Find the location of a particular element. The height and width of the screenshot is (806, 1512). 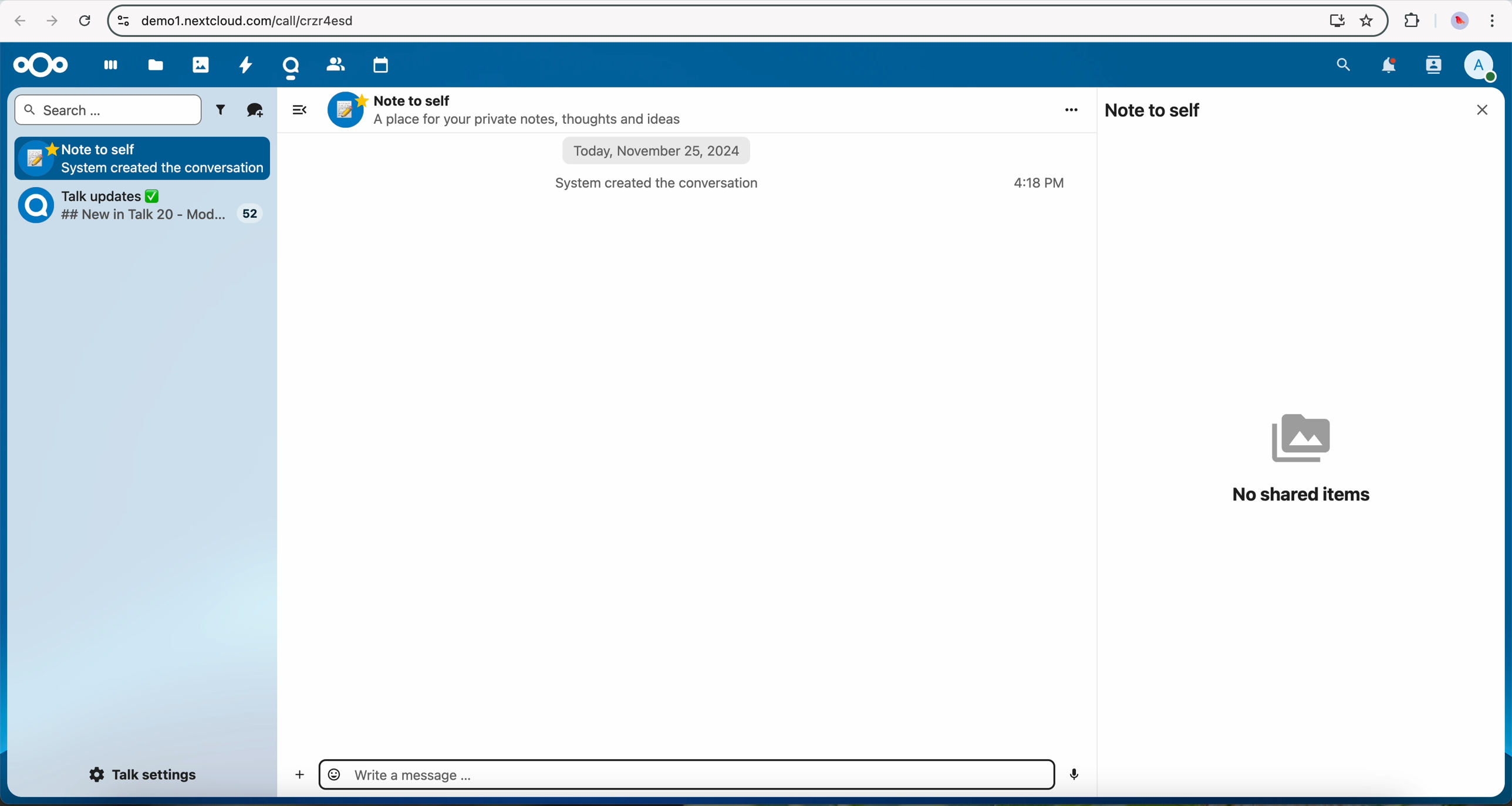

search bar is located at coordinates (107, 110).